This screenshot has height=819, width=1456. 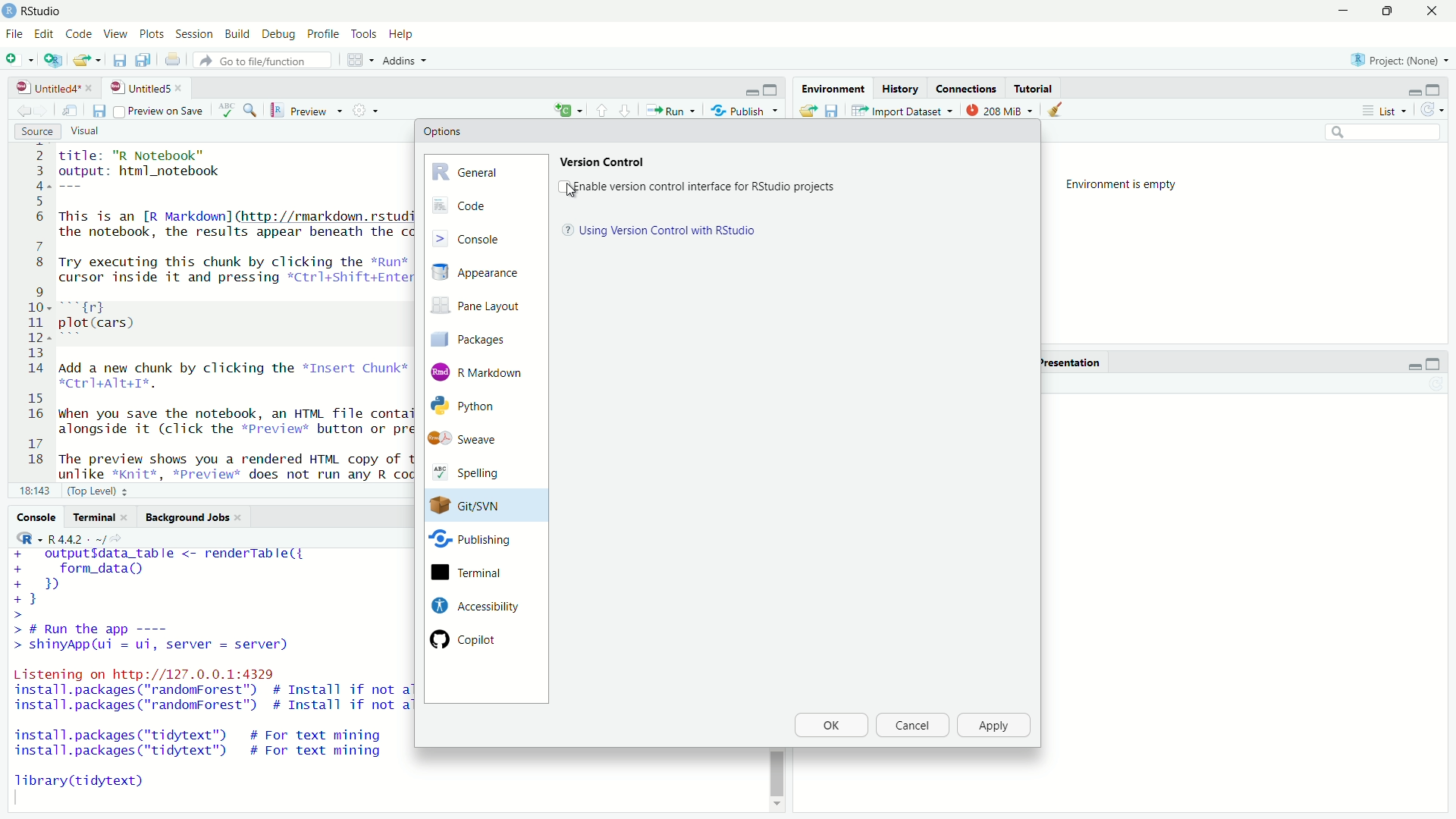 I want to click on Plots, so click(x=152, y=35).